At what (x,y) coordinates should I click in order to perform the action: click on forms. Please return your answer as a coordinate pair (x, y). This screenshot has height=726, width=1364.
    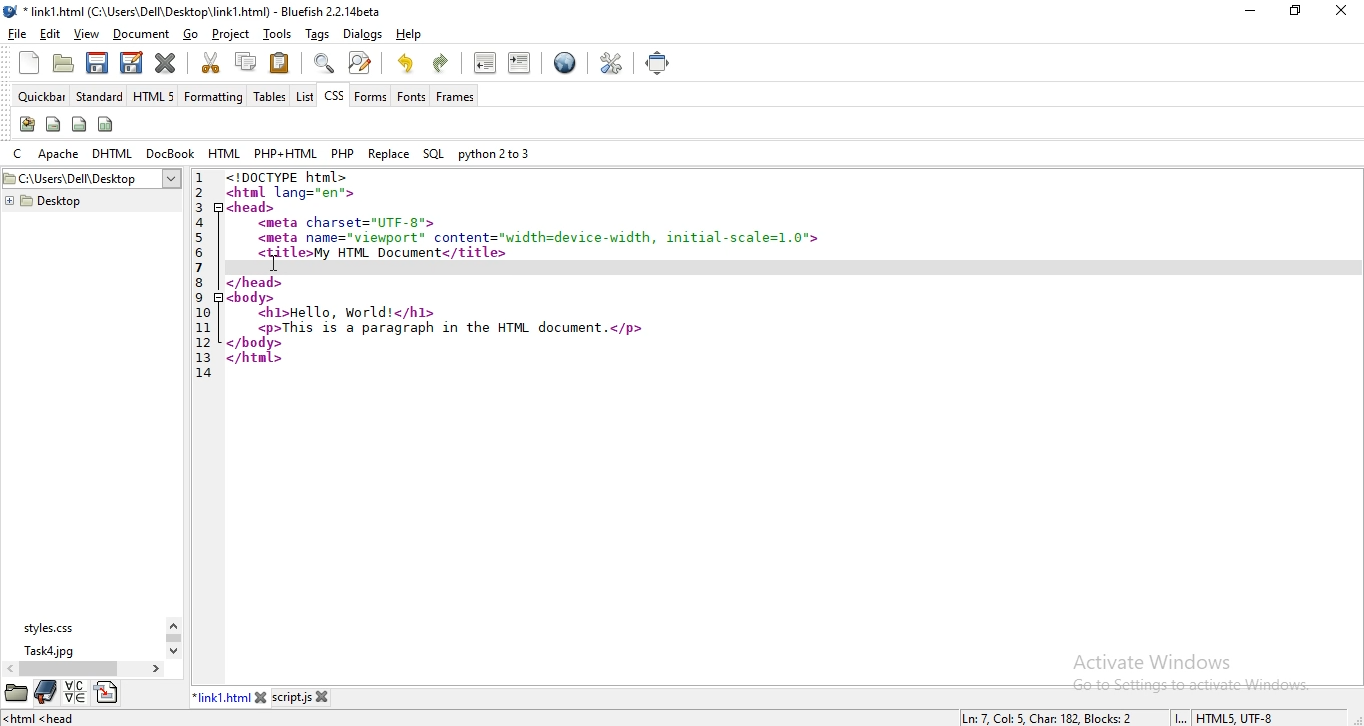
    Looking at the image, I should click on (371, 97).